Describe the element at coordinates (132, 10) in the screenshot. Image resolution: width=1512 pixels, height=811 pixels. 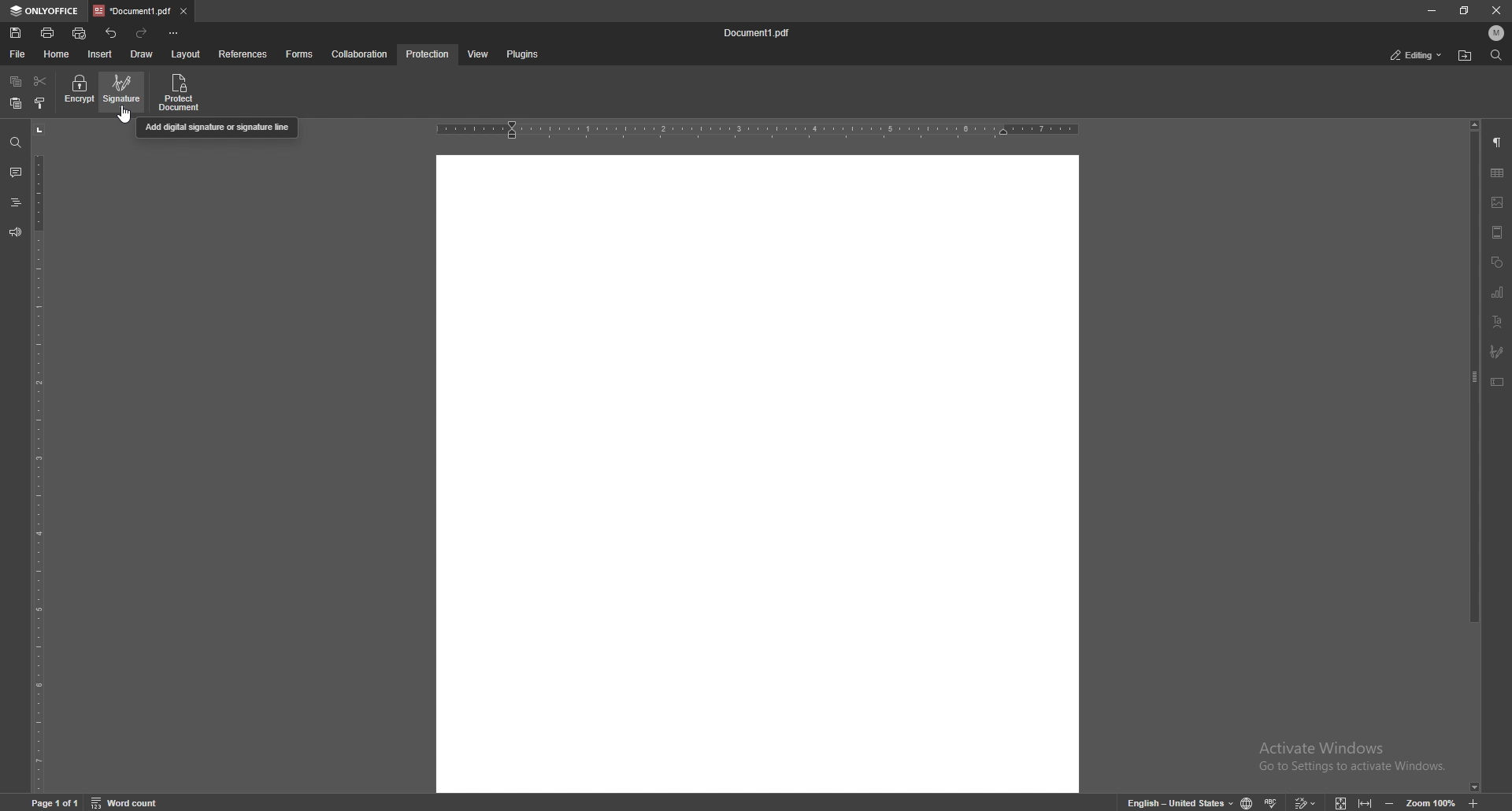
I see `tab` at that location.